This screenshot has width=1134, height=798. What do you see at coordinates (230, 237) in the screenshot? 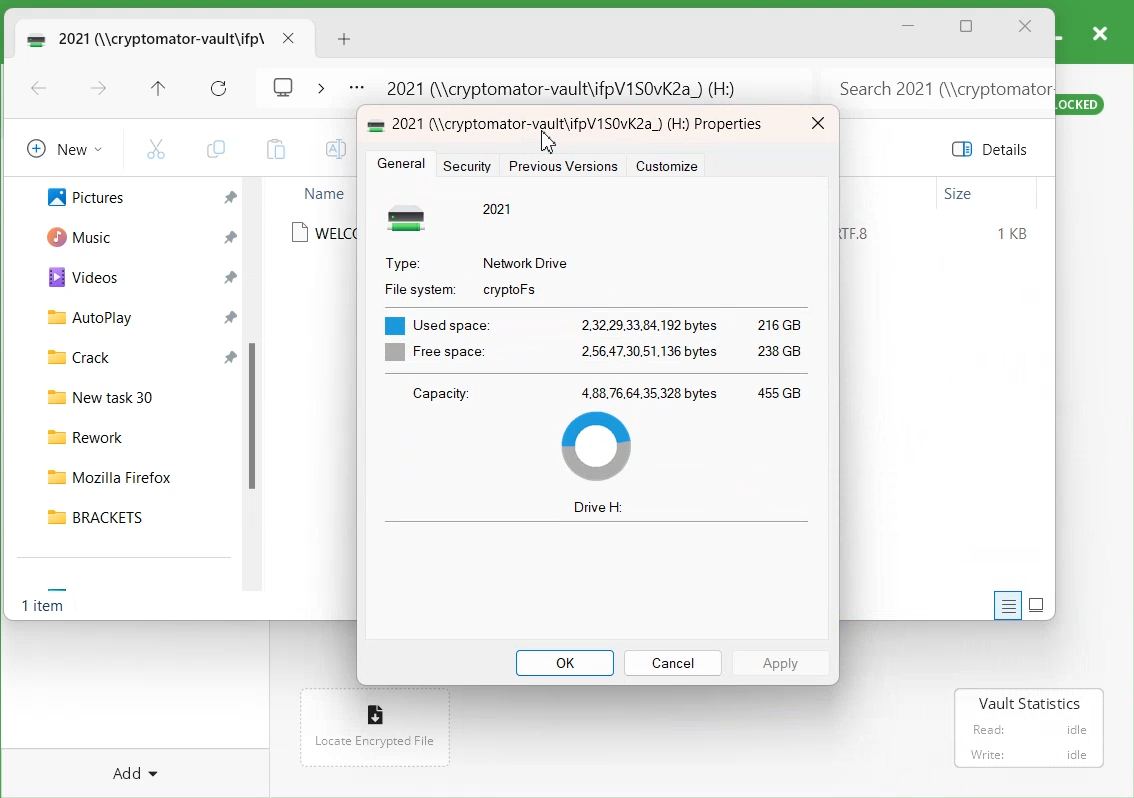
I see `Pin a file` at bounding box center [230, 237].